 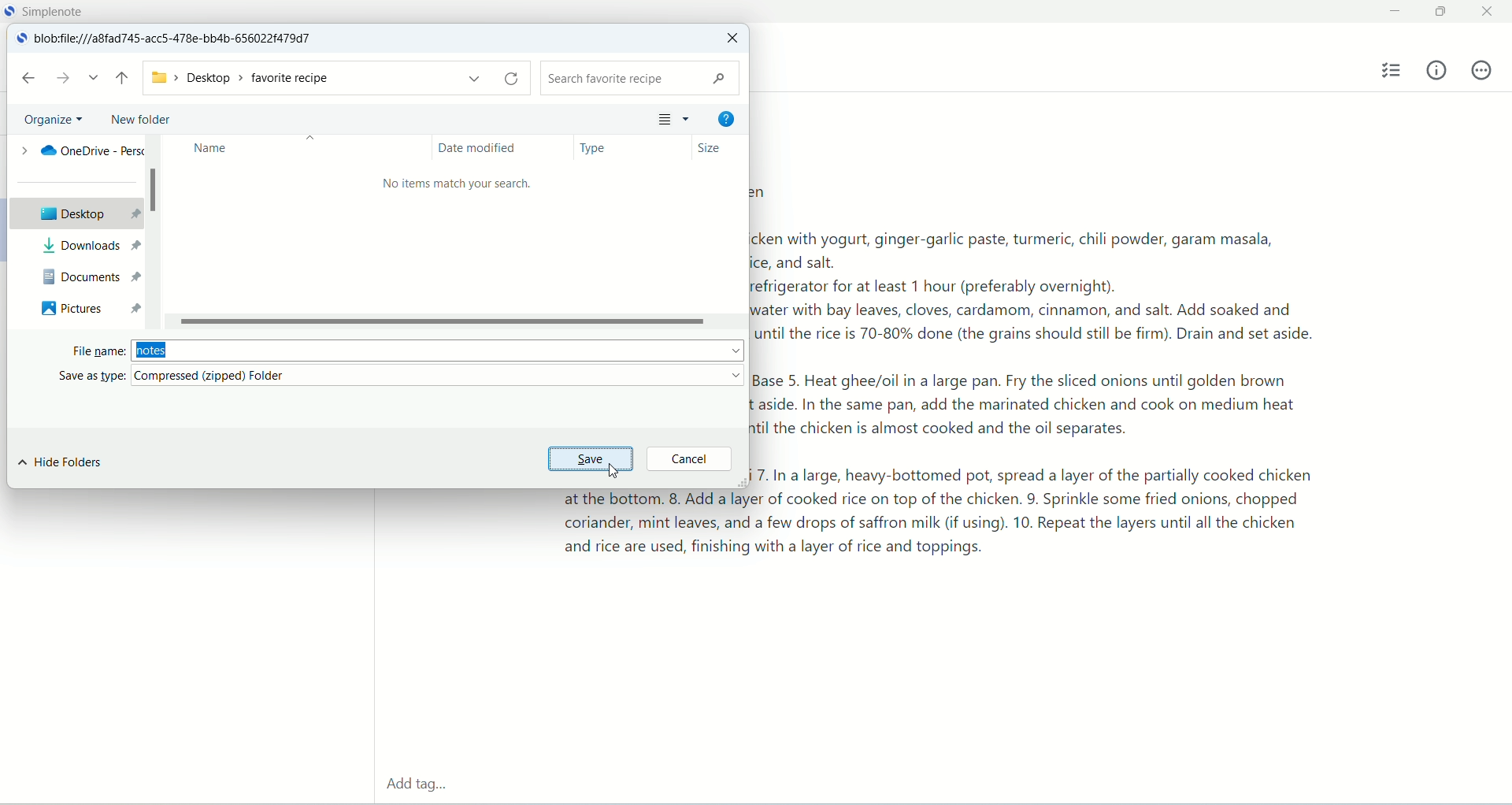 I want to click on help, so click(x=724, y=117).